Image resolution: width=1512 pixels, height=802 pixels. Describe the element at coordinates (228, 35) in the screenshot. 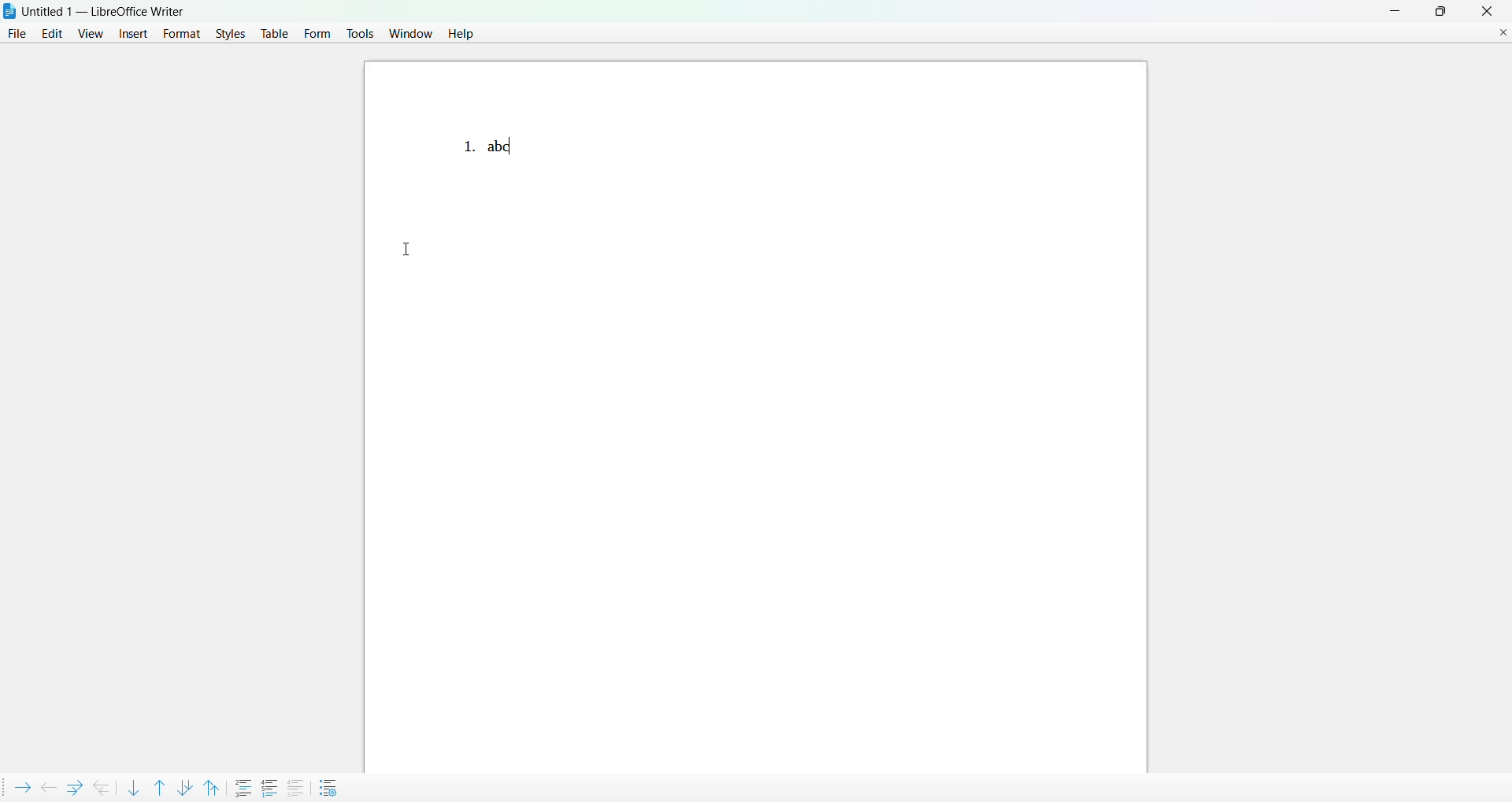

I see `styles` at that location.